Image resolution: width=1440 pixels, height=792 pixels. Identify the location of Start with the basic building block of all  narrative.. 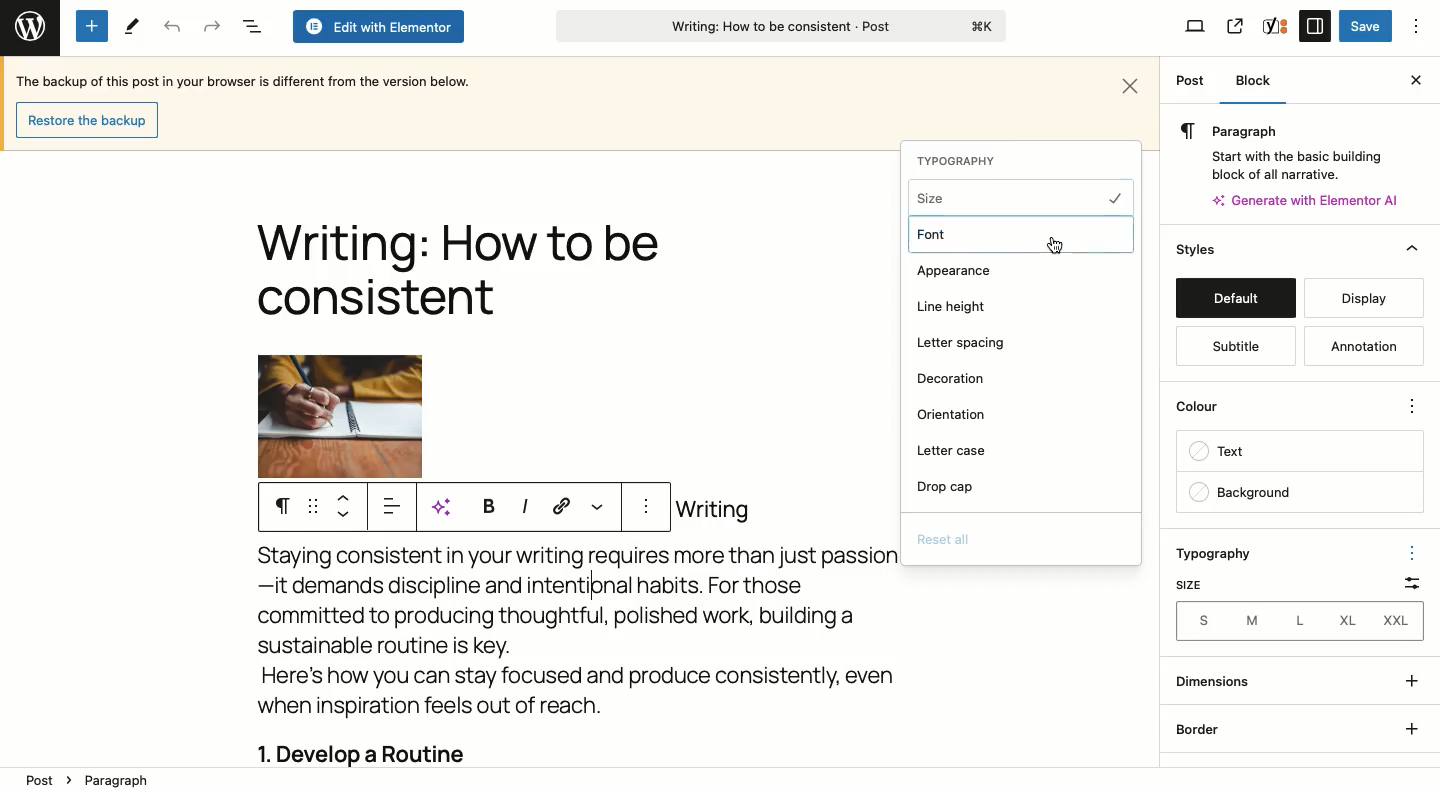
(1295, 162).